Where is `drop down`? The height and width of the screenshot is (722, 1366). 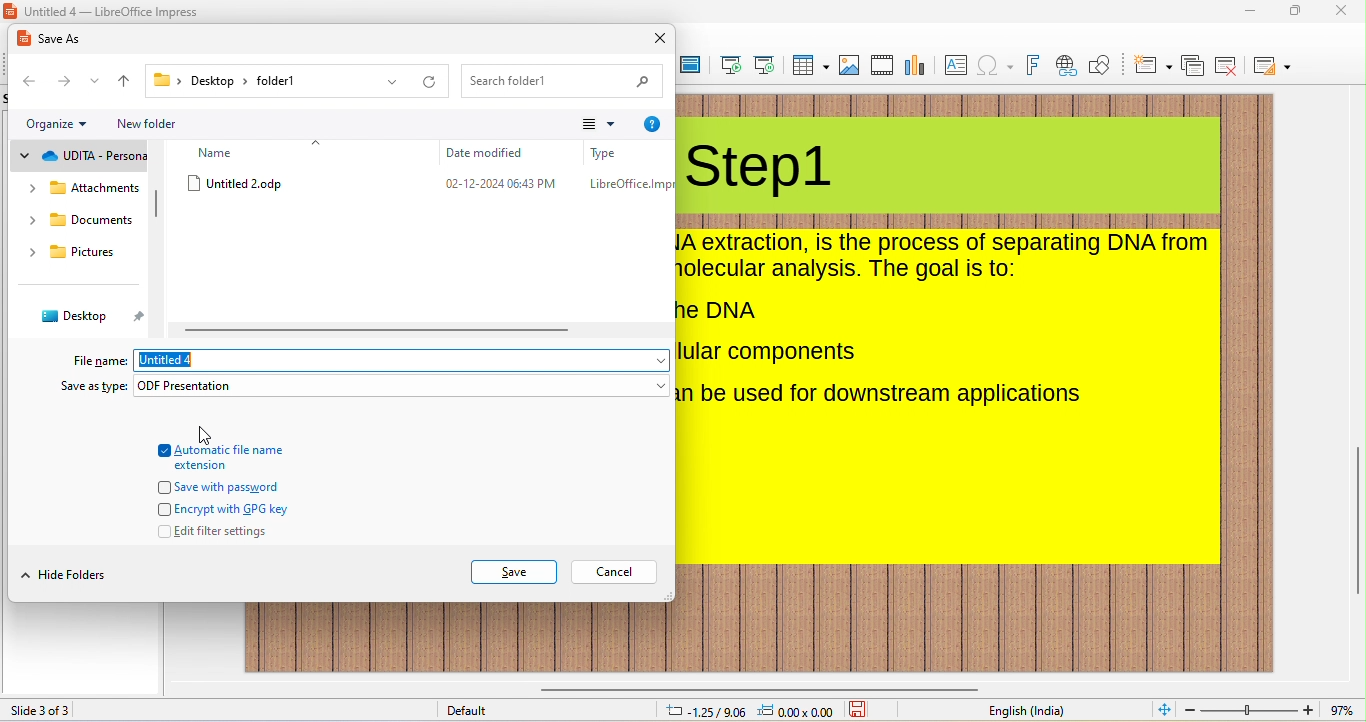 drop down is located at coordinates (30, 253).